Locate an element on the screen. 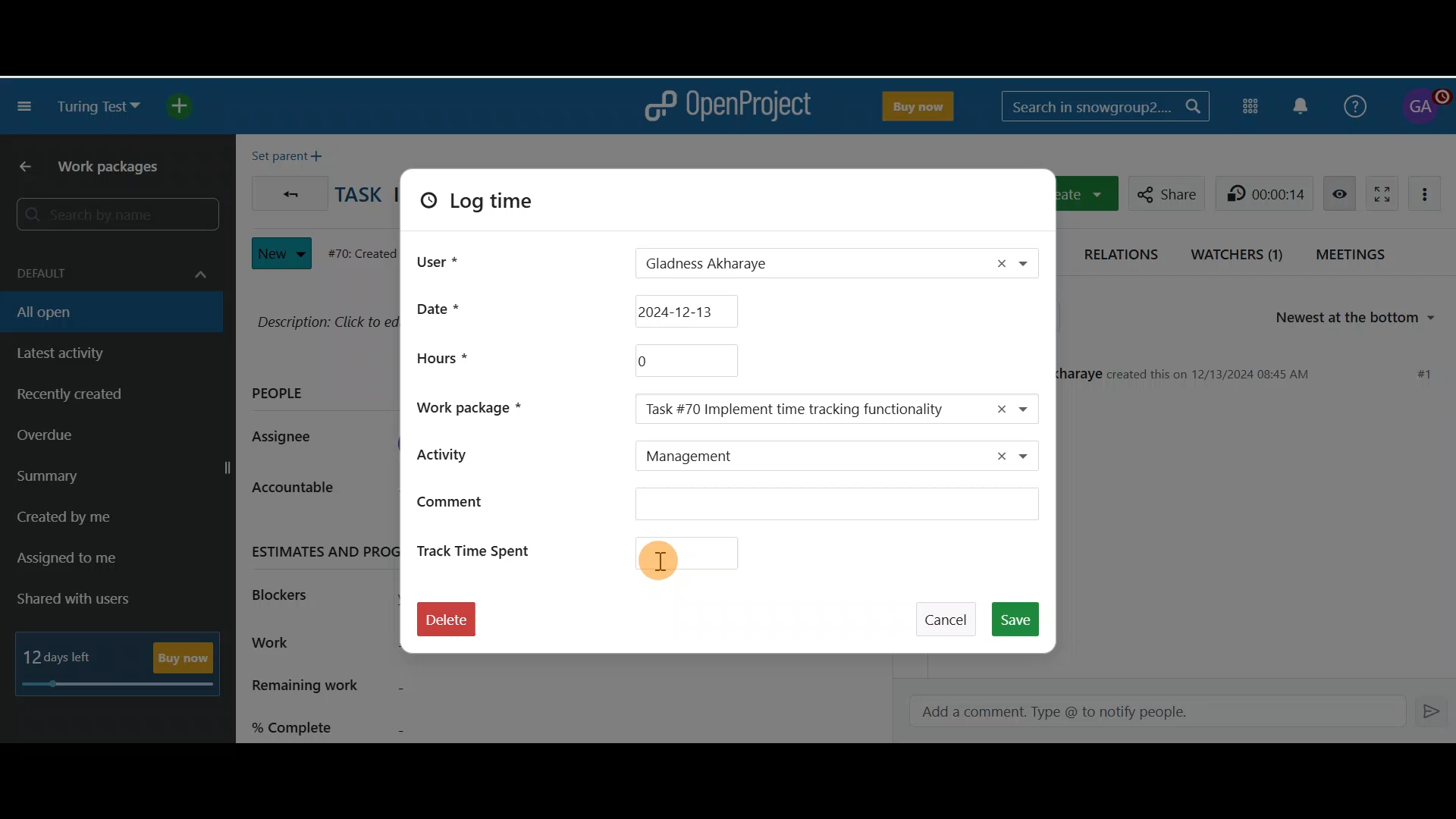  Search by name is located at coordinates (114, 215).